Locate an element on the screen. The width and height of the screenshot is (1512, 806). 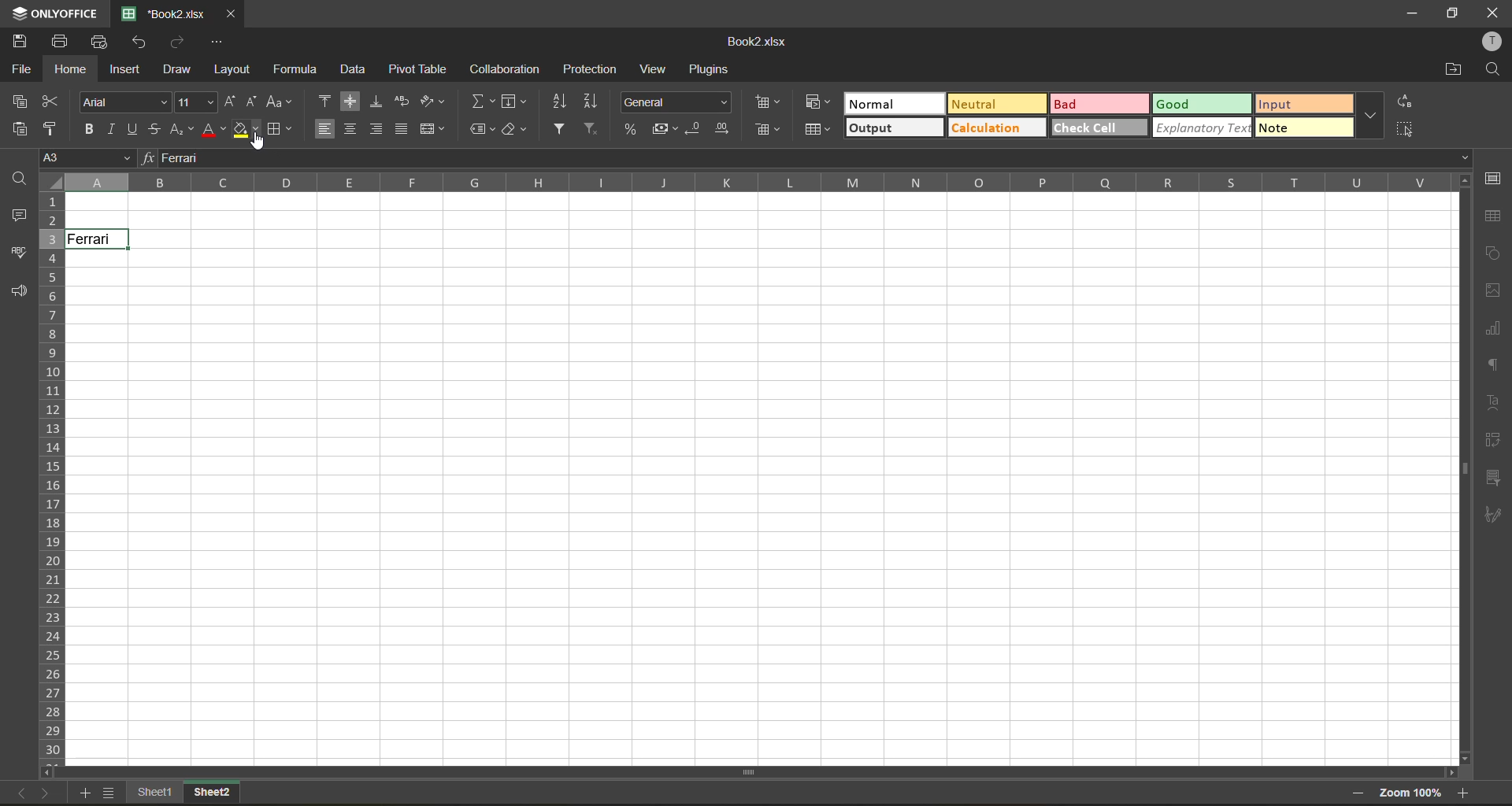
italic is located at coordinates (115, 128).